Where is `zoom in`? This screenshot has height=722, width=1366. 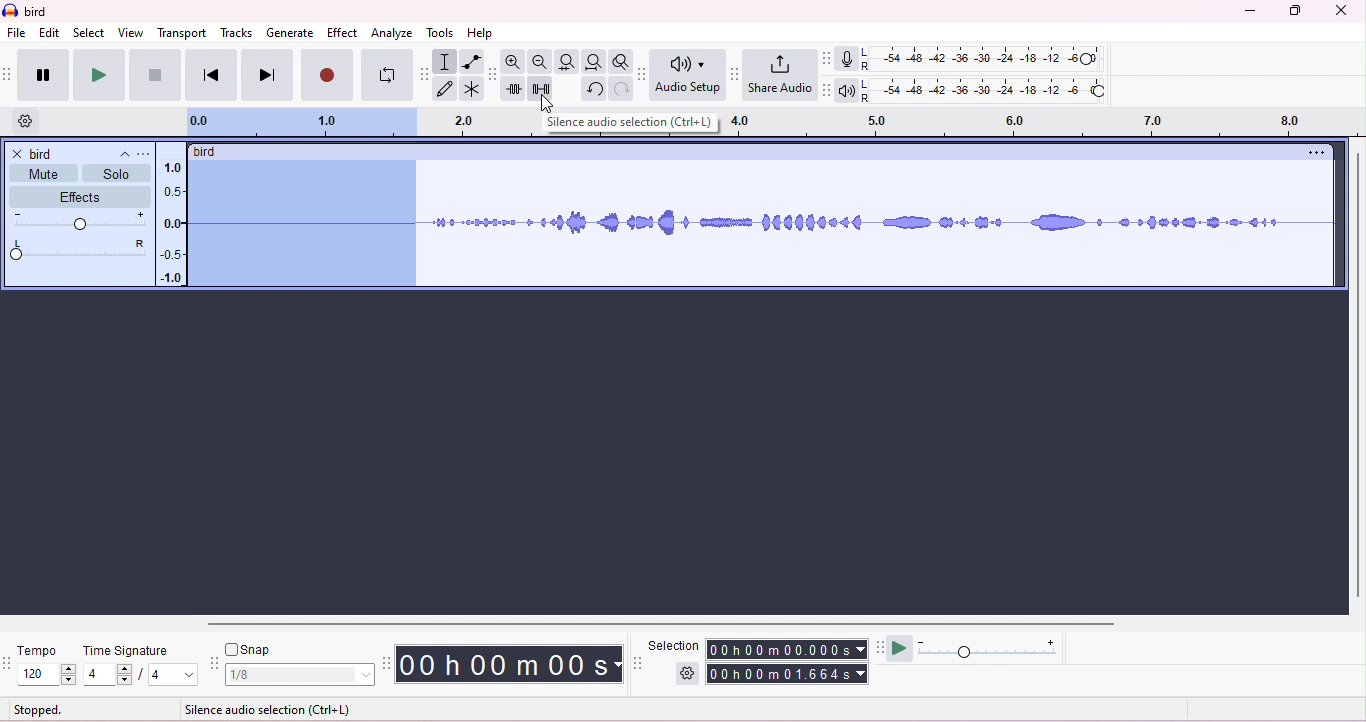 zoom in is located at coordinates (515, 60).